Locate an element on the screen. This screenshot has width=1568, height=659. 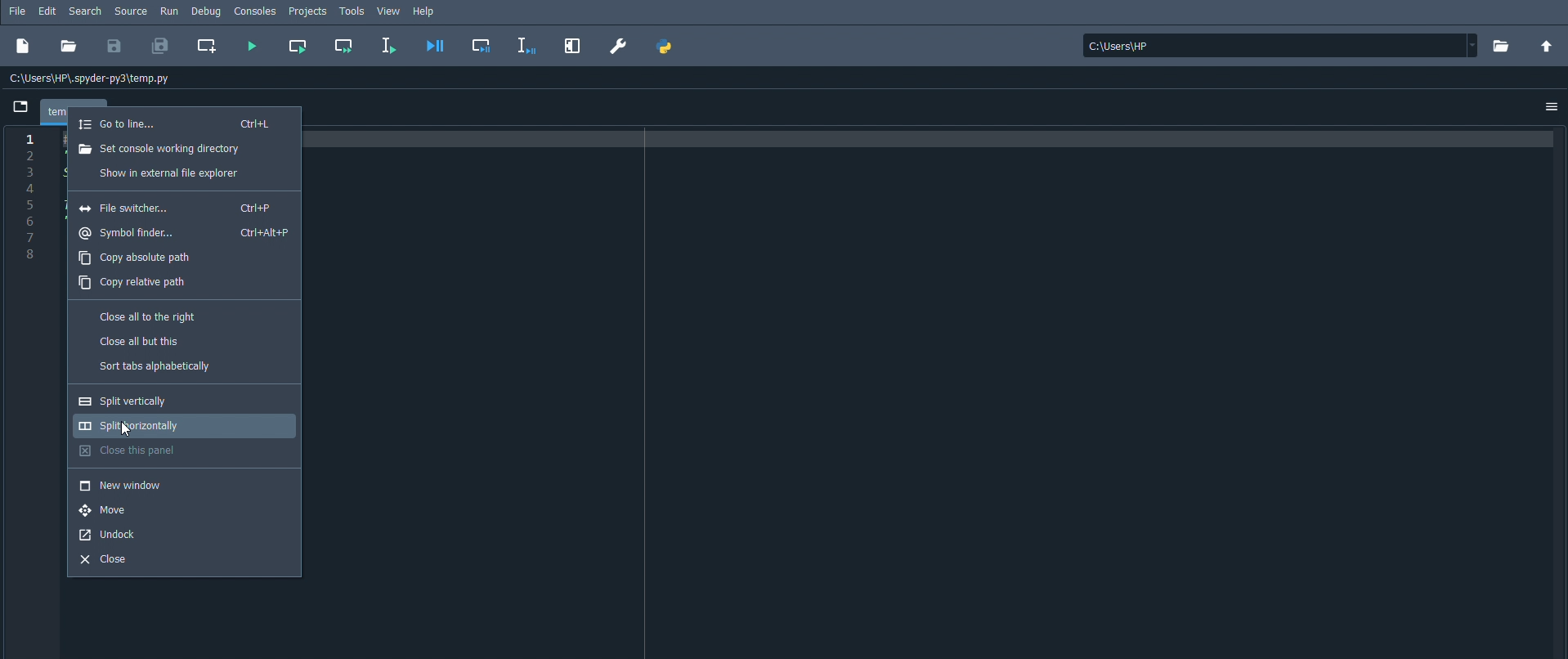
Copy absolute path is located at coordinates (135, 258).